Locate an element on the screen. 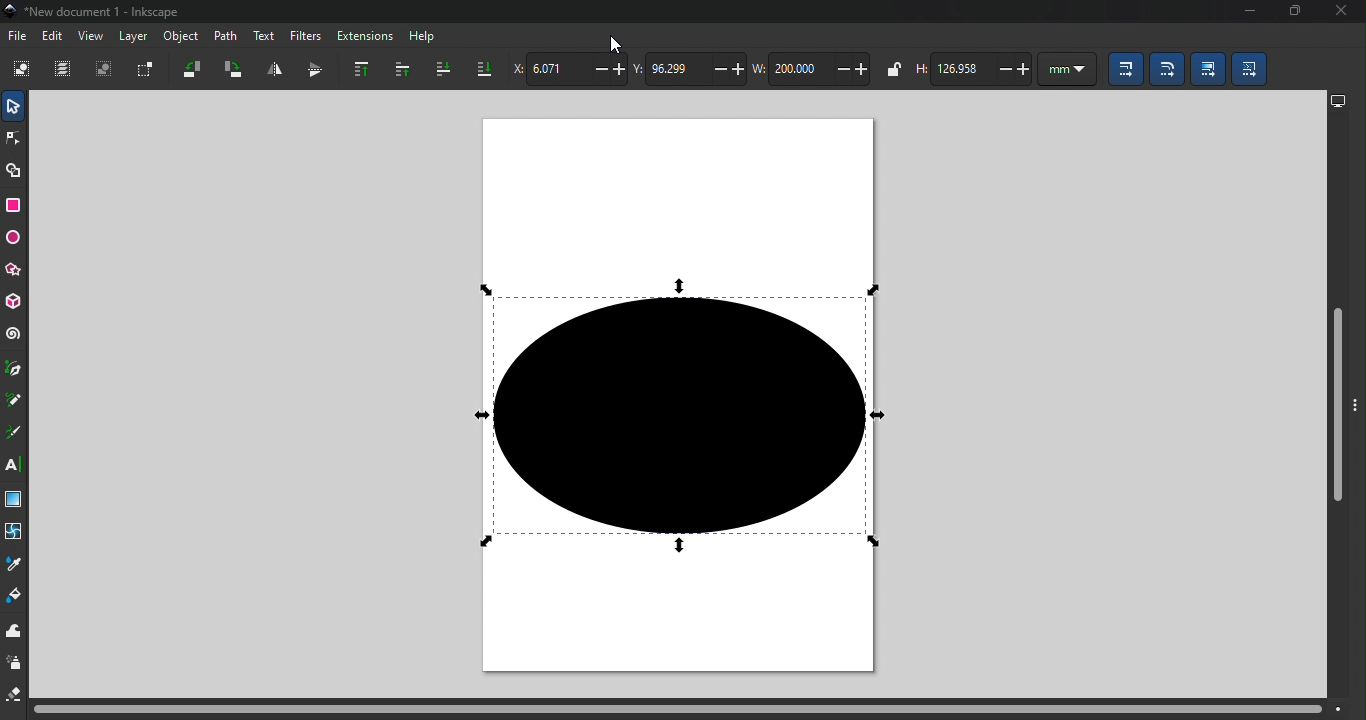 The height and width of the screenshot is (720, 1366). Filters is located at coordinates (305, 36).